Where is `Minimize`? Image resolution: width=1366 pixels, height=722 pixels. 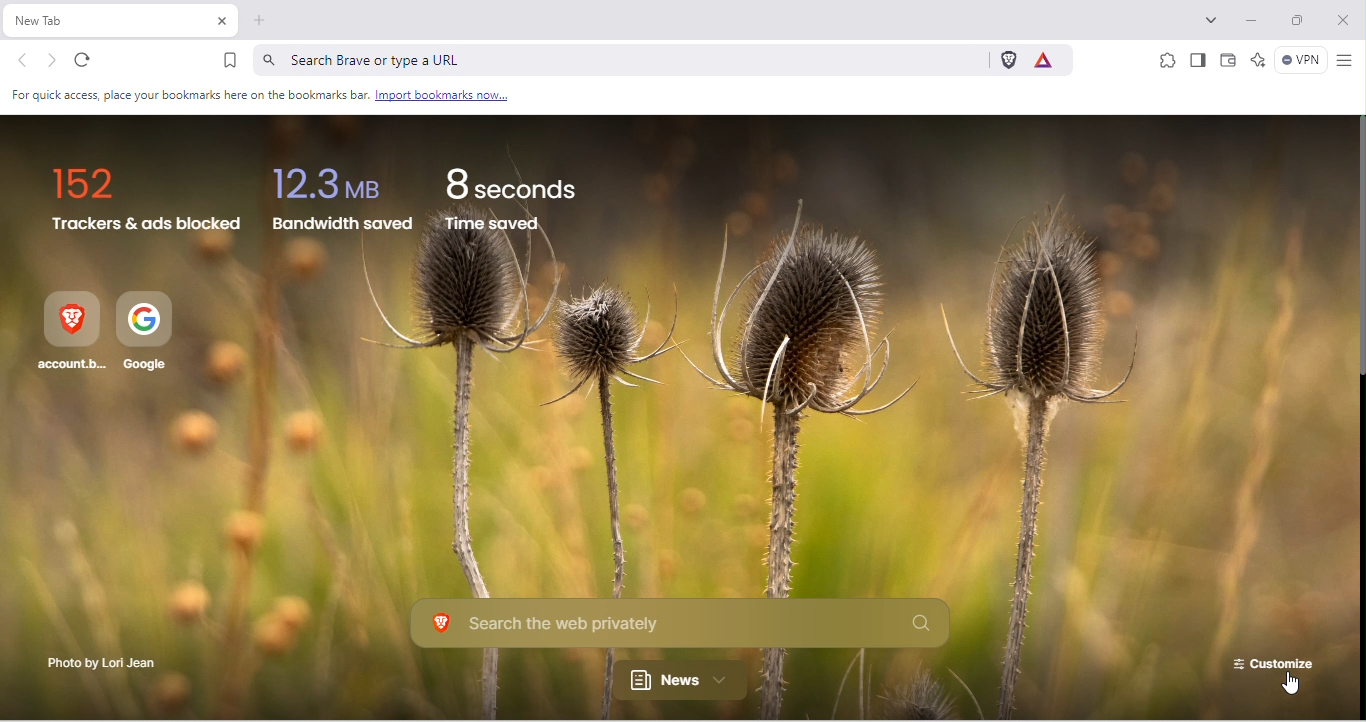
Minimize is located at coordinates (1255, 21).